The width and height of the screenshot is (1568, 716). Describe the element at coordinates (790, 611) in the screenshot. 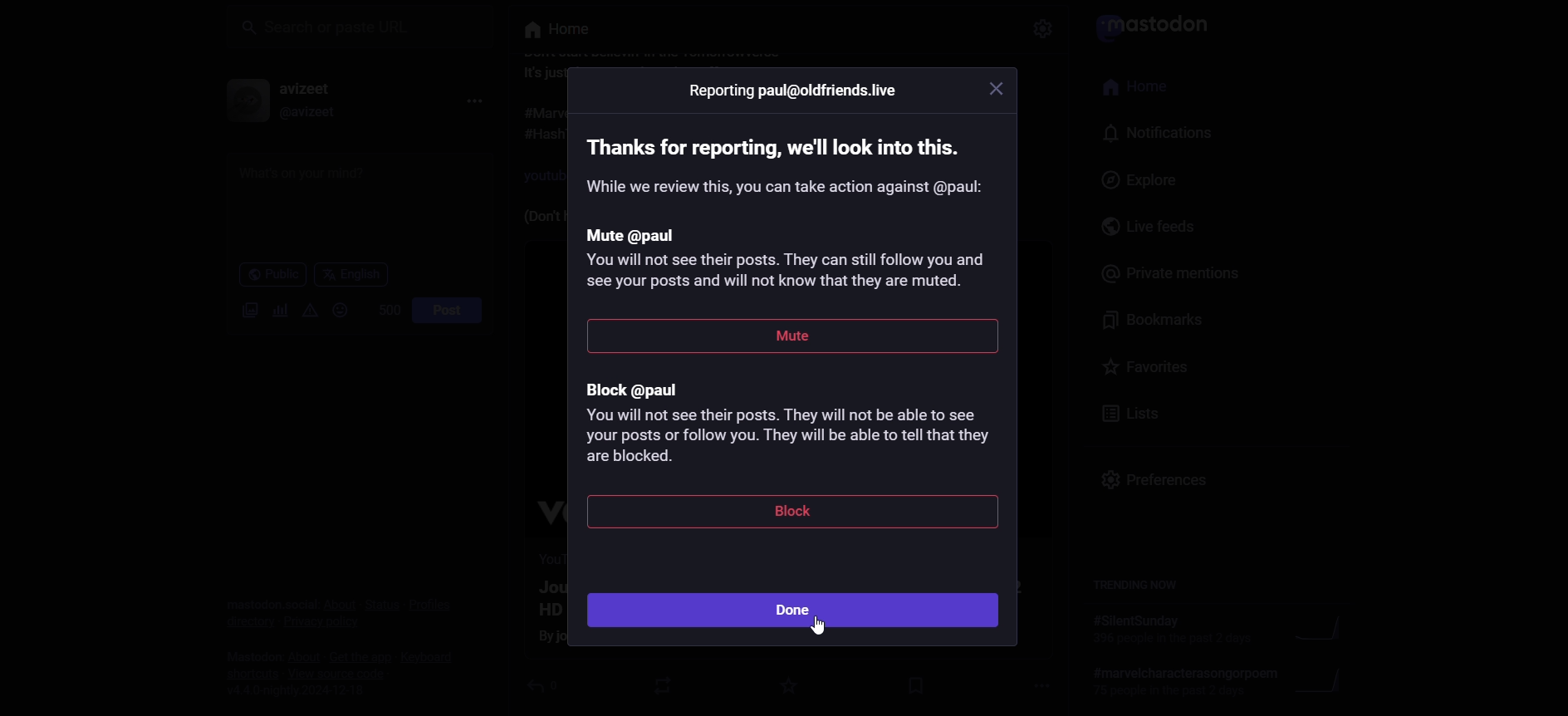

I see `done` at that location.